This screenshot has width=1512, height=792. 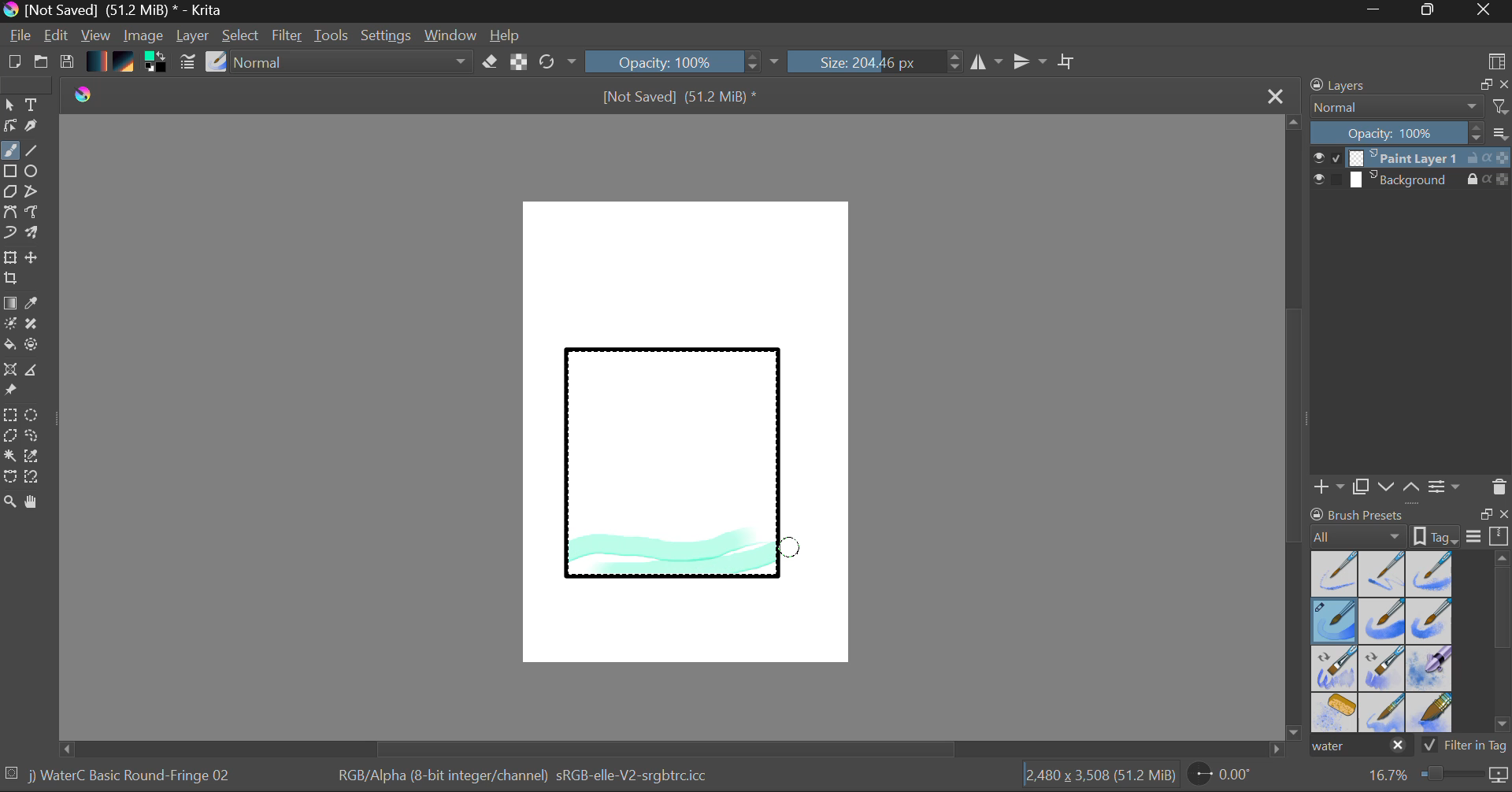 What do you see at coordinates (1410, 525) in the screenshot?
I see `Brush presets docket` at bounding box center [1410, 525].